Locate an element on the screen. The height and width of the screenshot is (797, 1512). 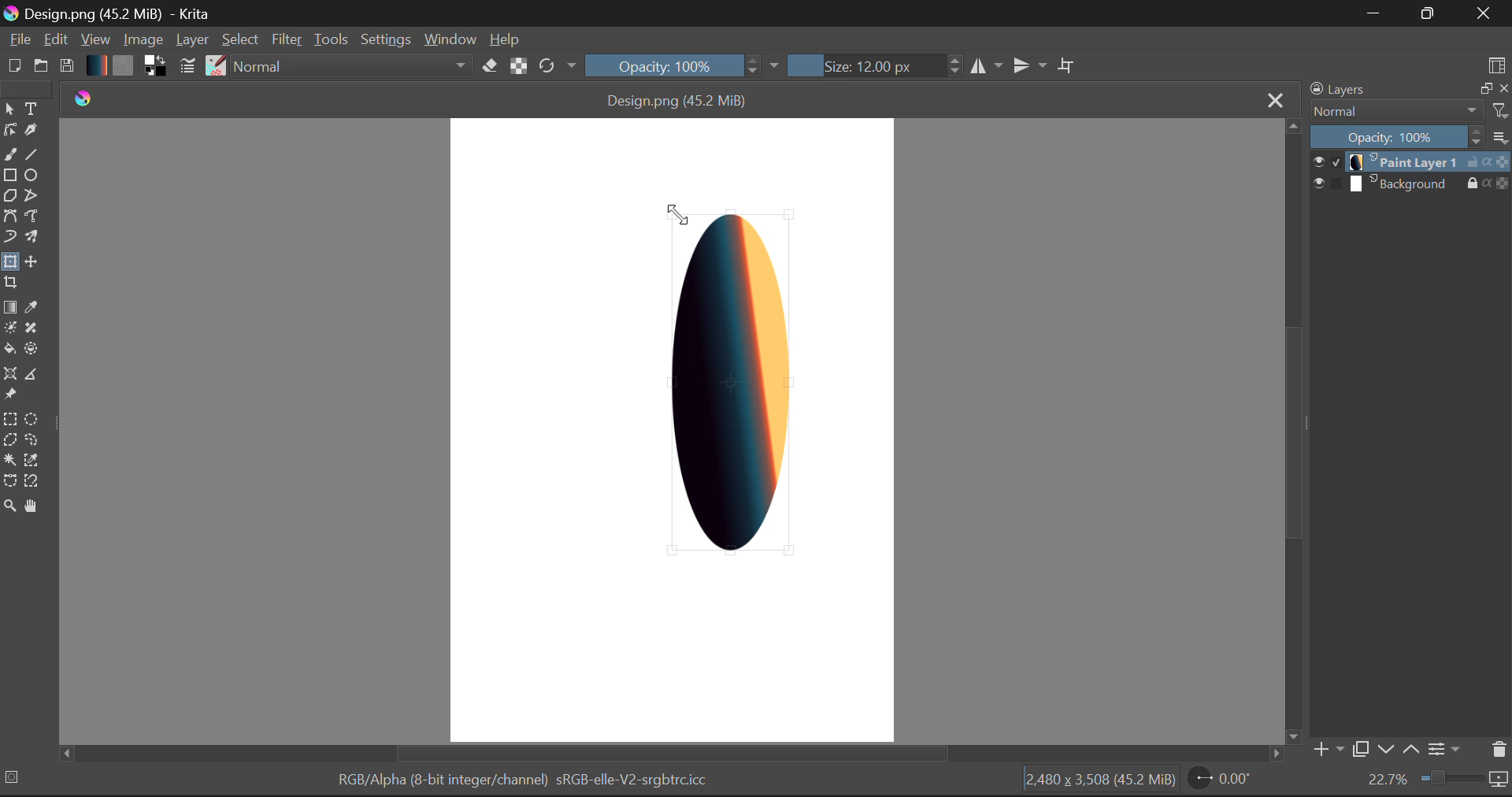
Vertical Mirror Flip is located at coordinates (986, 65).